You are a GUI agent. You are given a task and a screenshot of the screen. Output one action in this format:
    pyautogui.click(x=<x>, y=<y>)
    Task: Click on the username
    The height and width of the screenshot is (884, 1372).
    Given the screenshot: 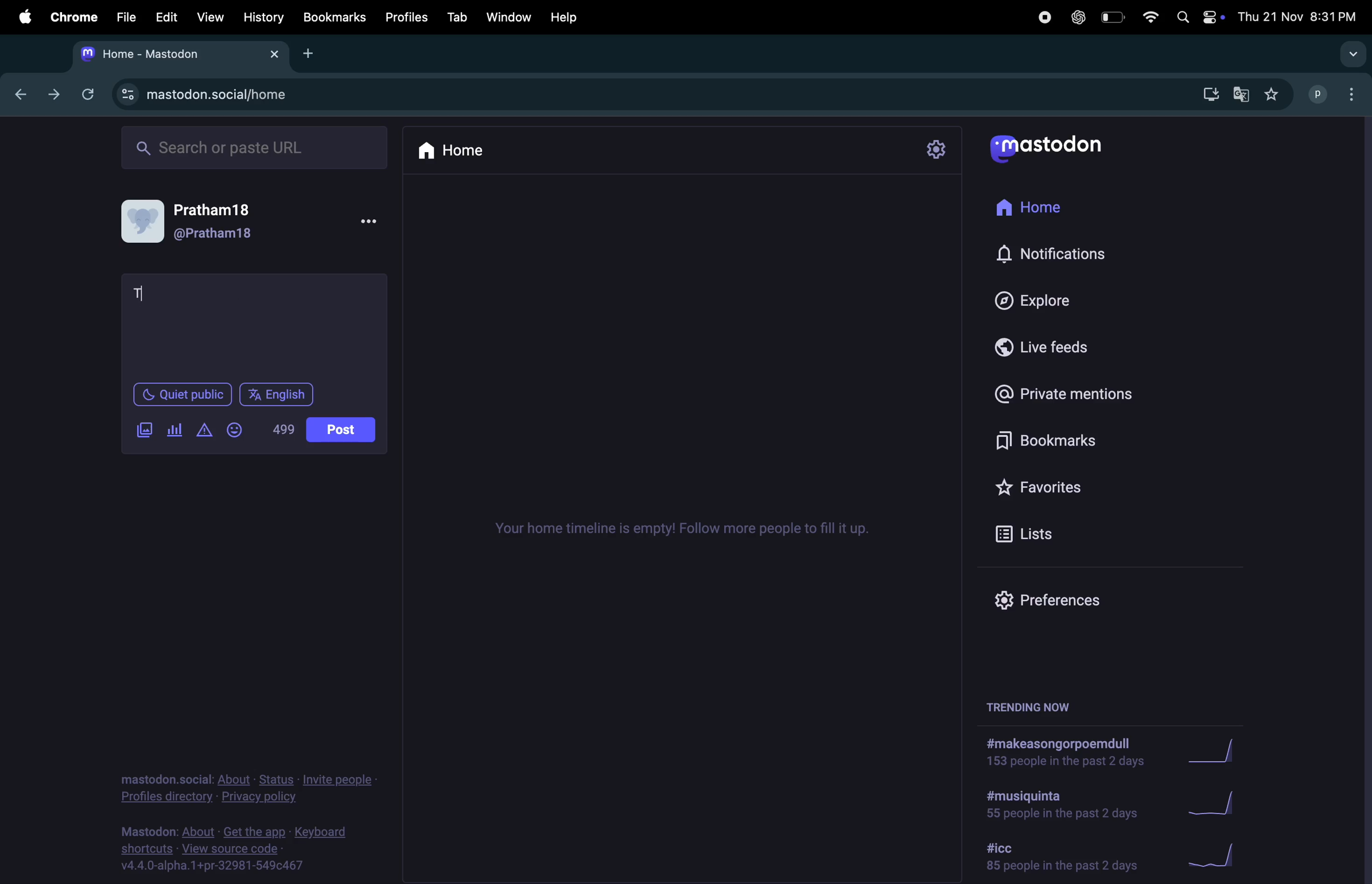 What is the action you would take?
    pyautogui.click(x=1319, y=95)
    